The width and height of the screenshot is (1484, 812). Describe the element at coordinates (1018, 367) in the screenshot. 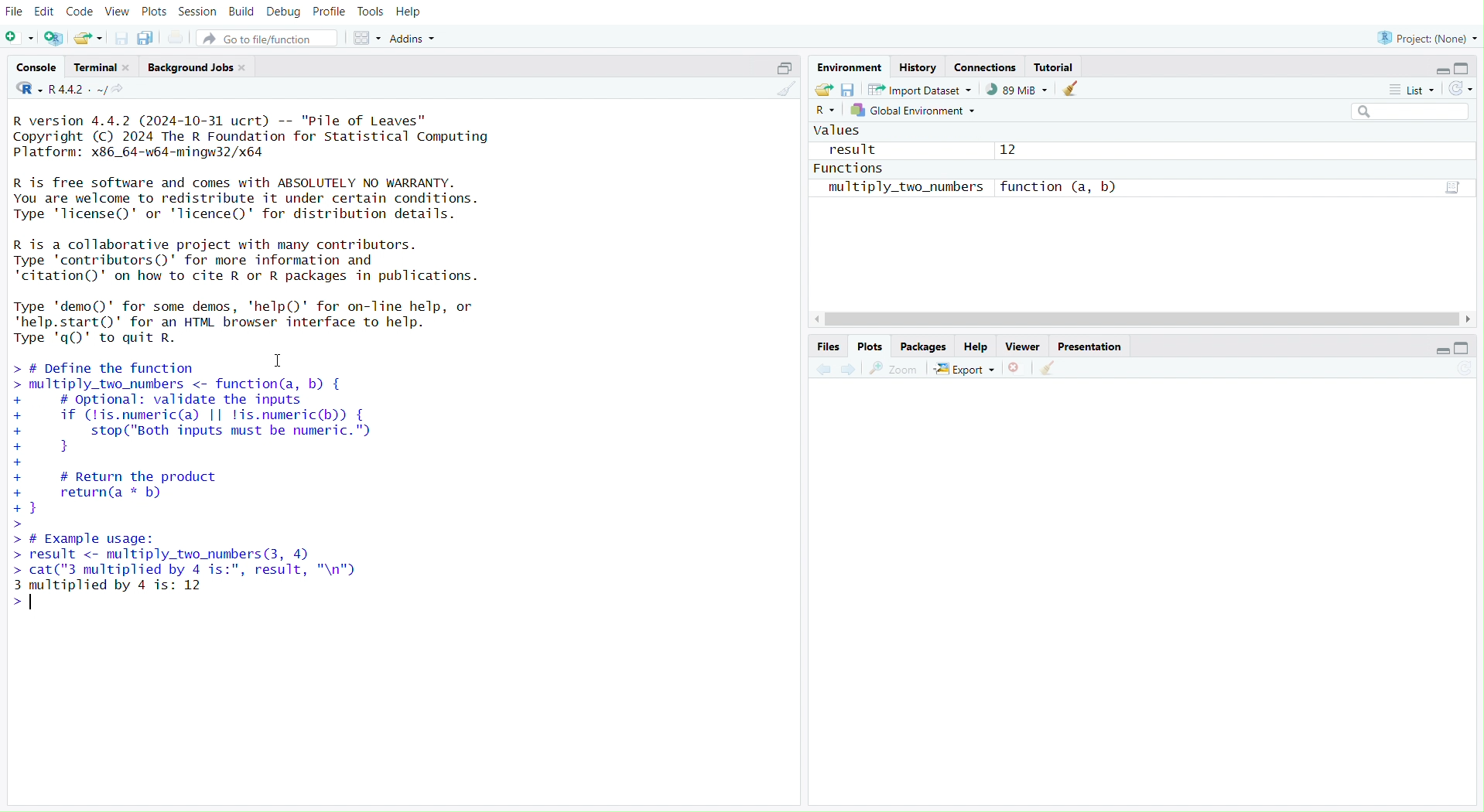

I see `Close` at that location.